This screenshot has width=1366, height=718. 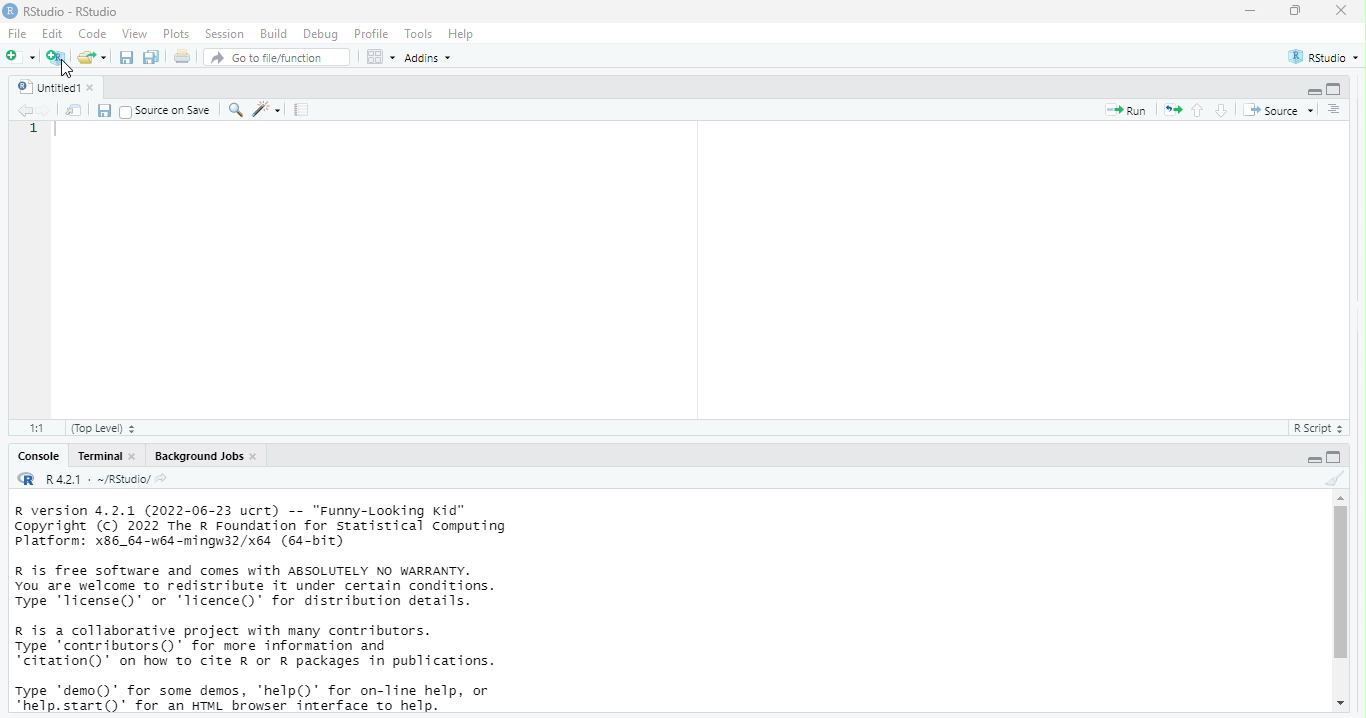 I want to click on source the contents of the active document, so click(x=1282, y=111).